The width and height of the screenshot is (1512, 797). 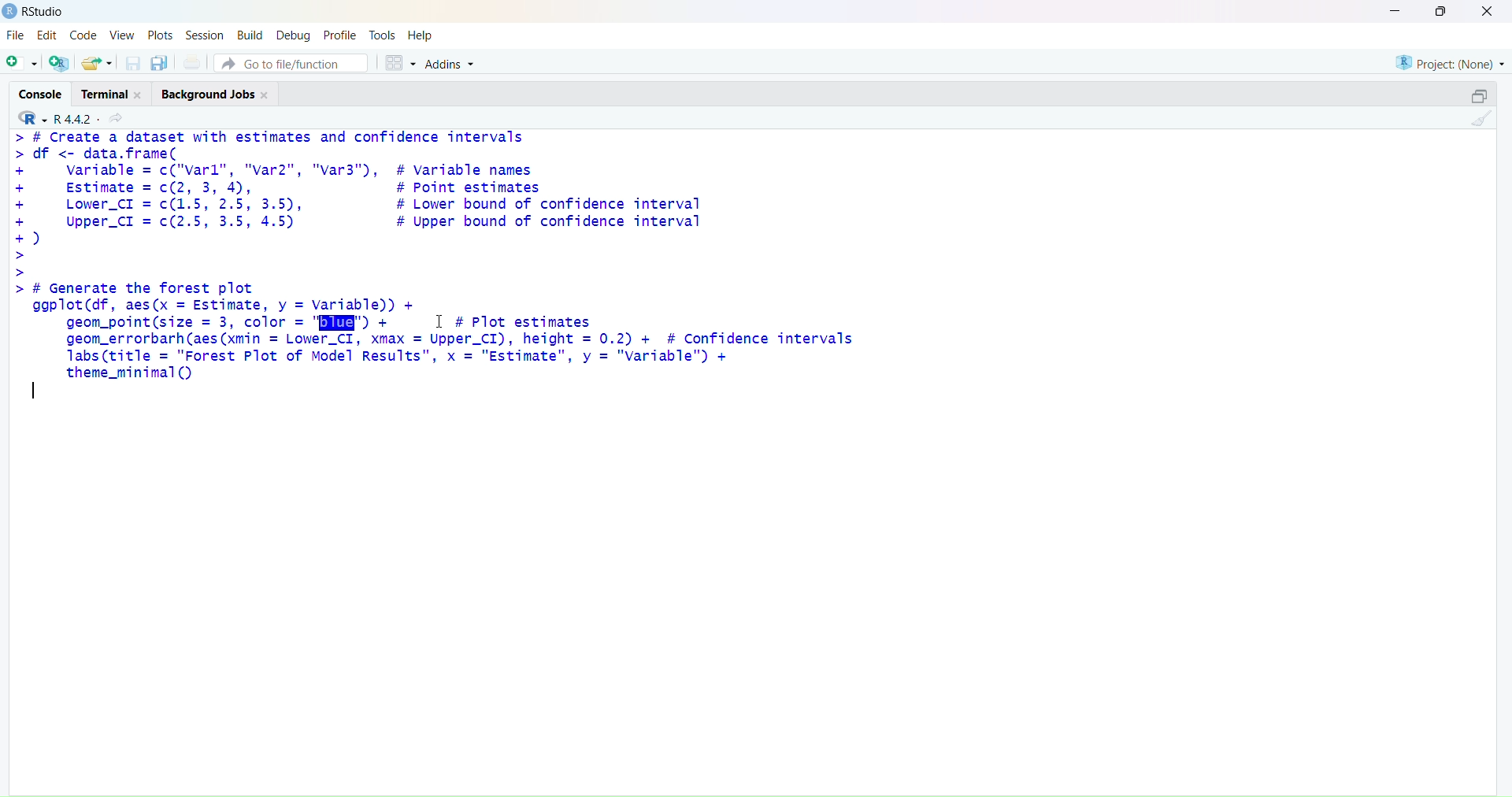 What do you see at coordinates (1396, 11) in the screenshot?
I see `minimize` at bounding box center [1396, 11].